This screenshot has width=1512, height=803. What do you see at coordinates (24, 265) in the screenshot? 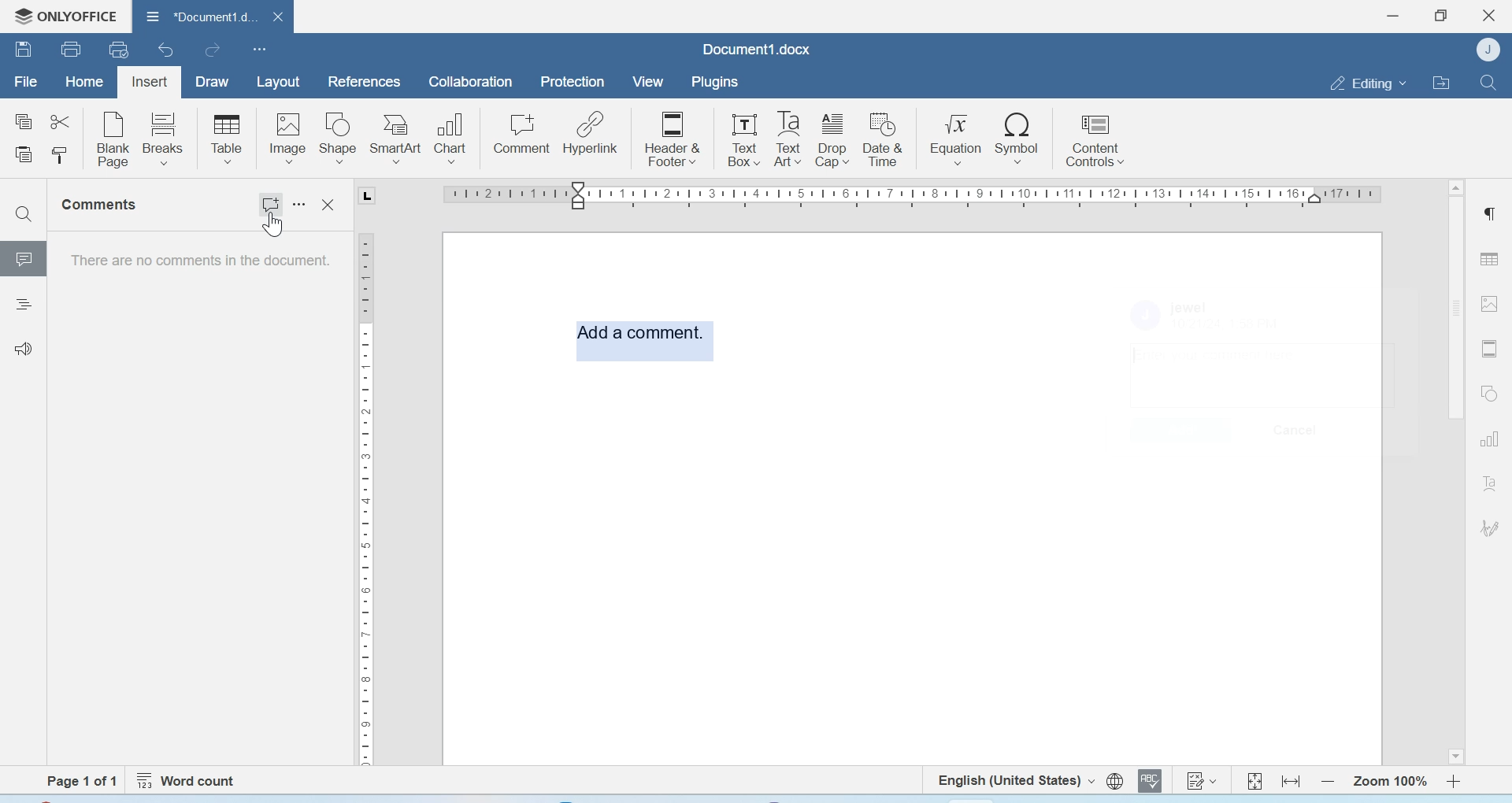
I see `Comment icon` at bounding box center [24, 265].